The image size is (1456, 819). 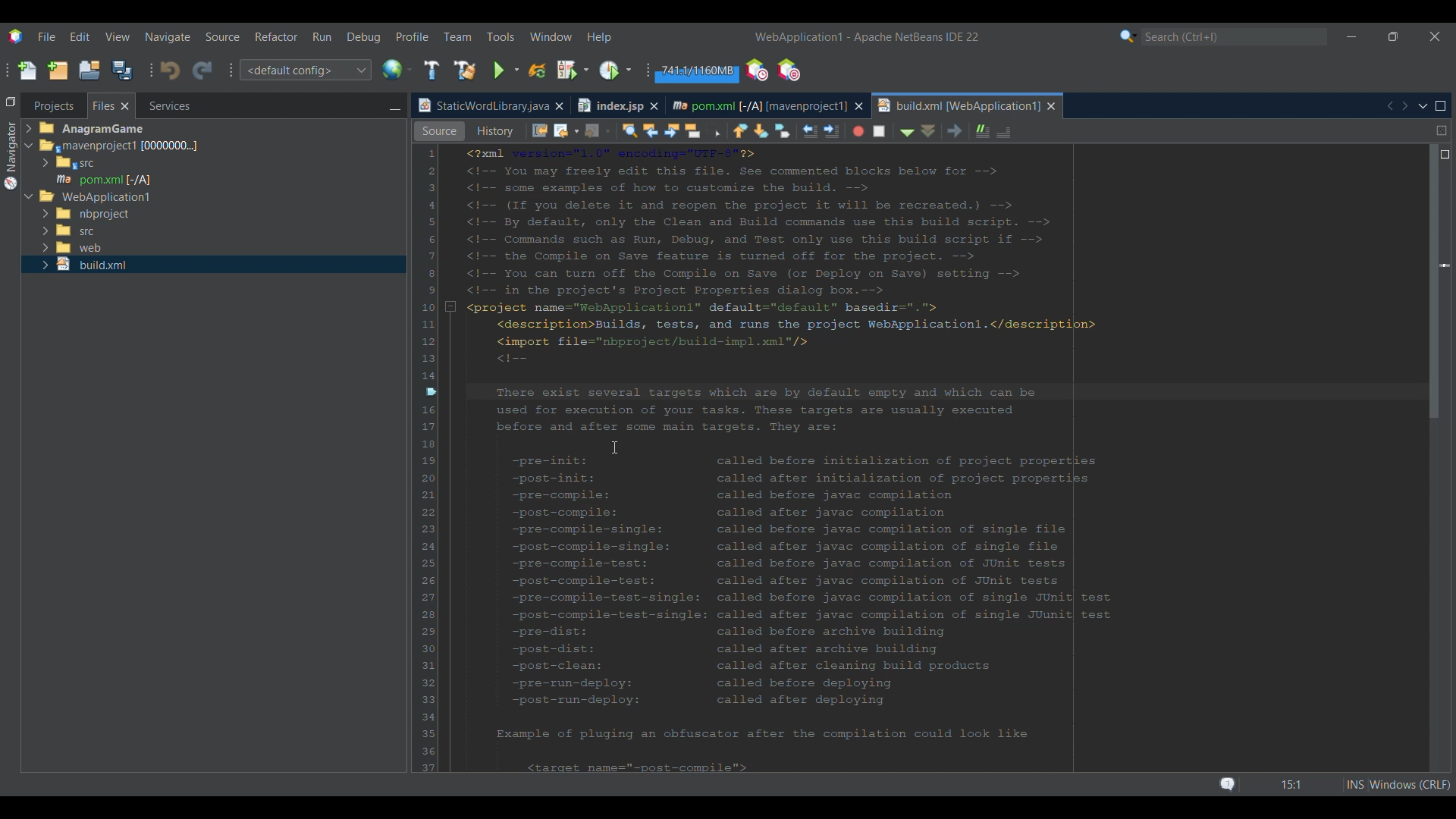 What do you see at coordinates (1389, 106) in the screenshot?
I see `Previous` at bounding box center [1389, 106].